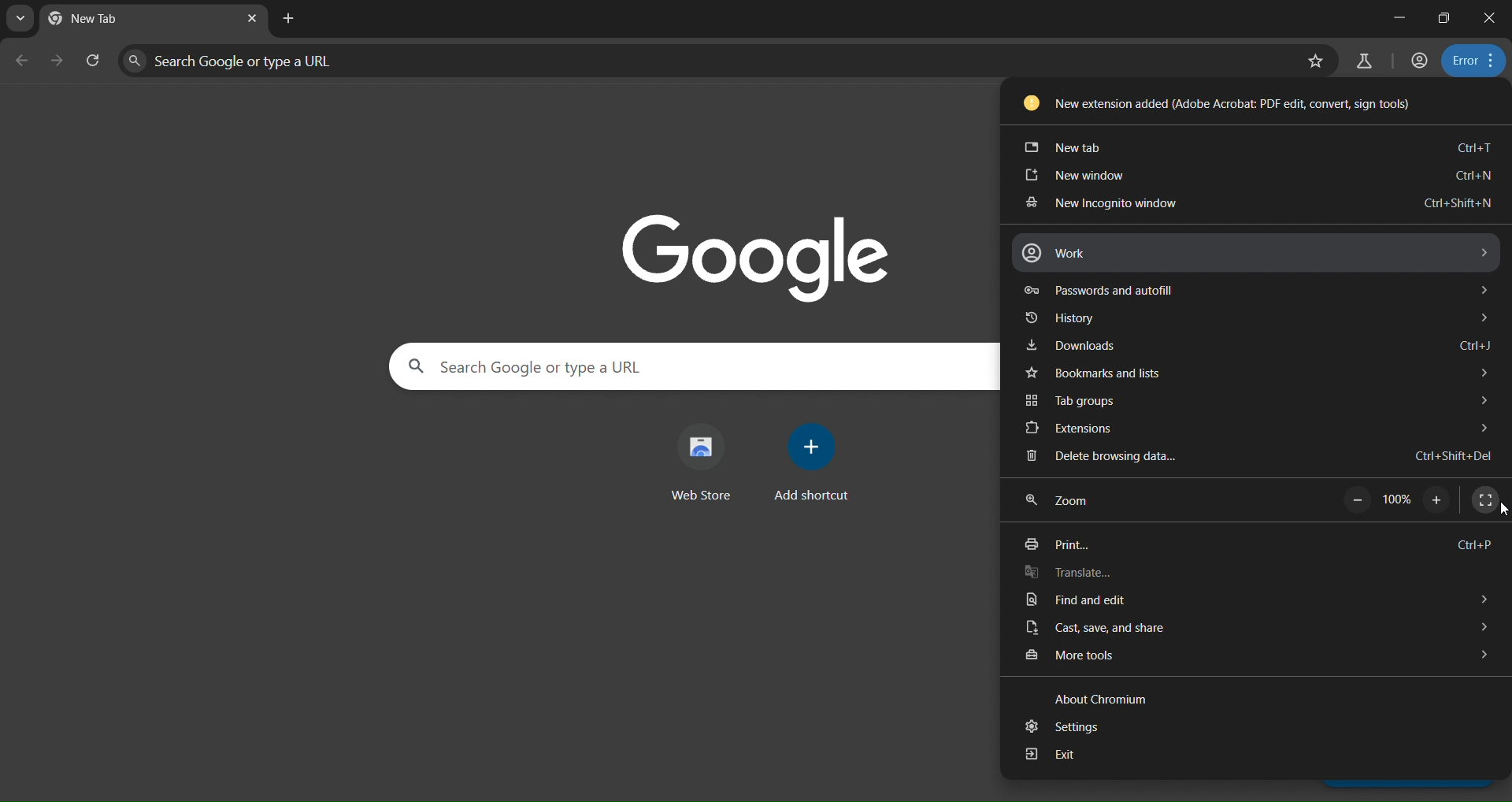 The image size is (1512, 802). What do you see at coordinates (1484, 499) in the screenshot?
I see `display in full screen mode` at bounding box center [1484, 499].